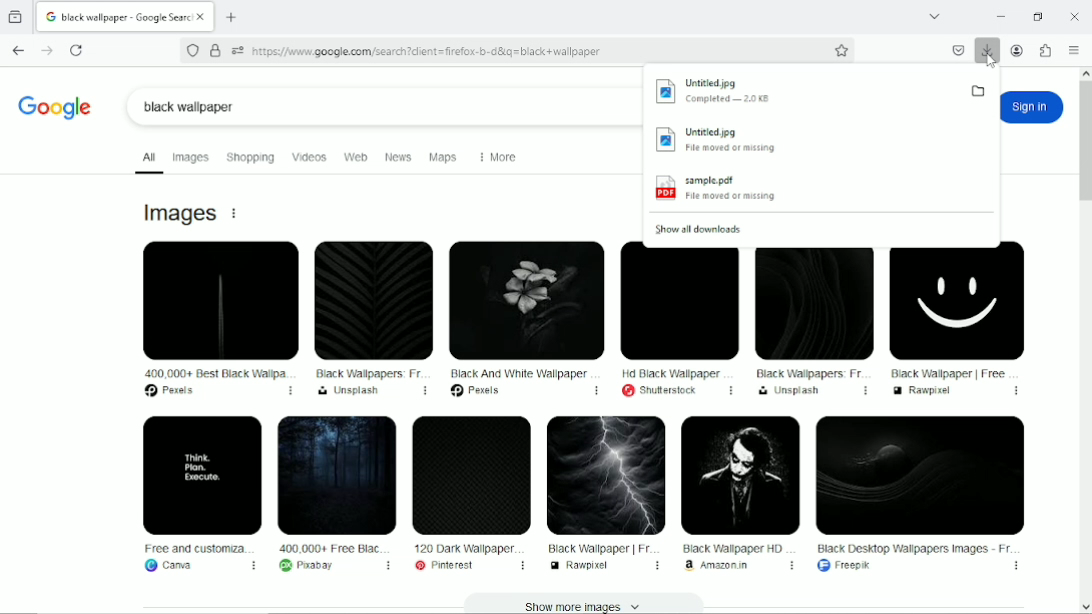  I want to click on Black Wallpapers: Fr ..., so click(812, 321).